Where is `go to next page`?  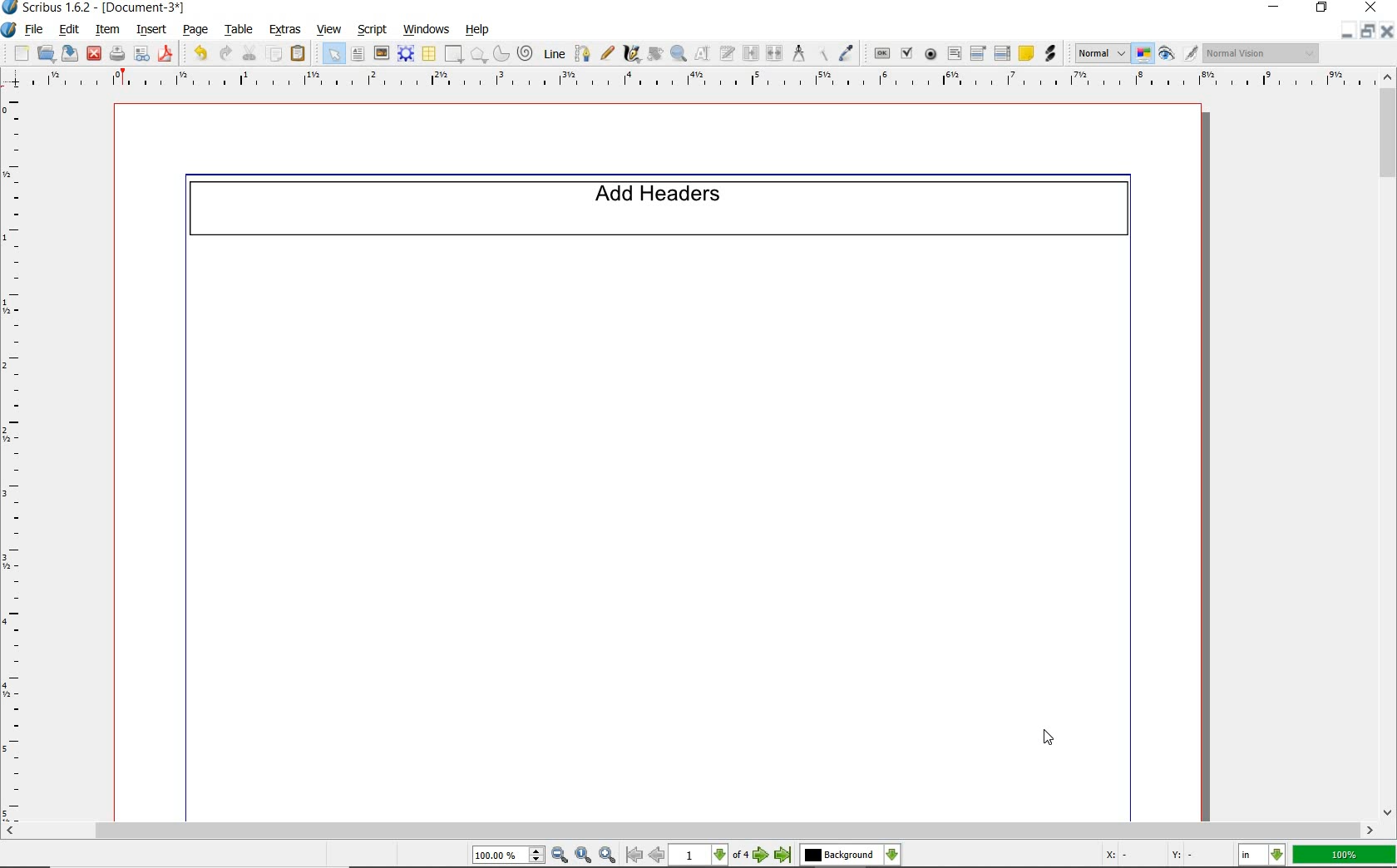
go to next page is located at coordinates (763, 856).